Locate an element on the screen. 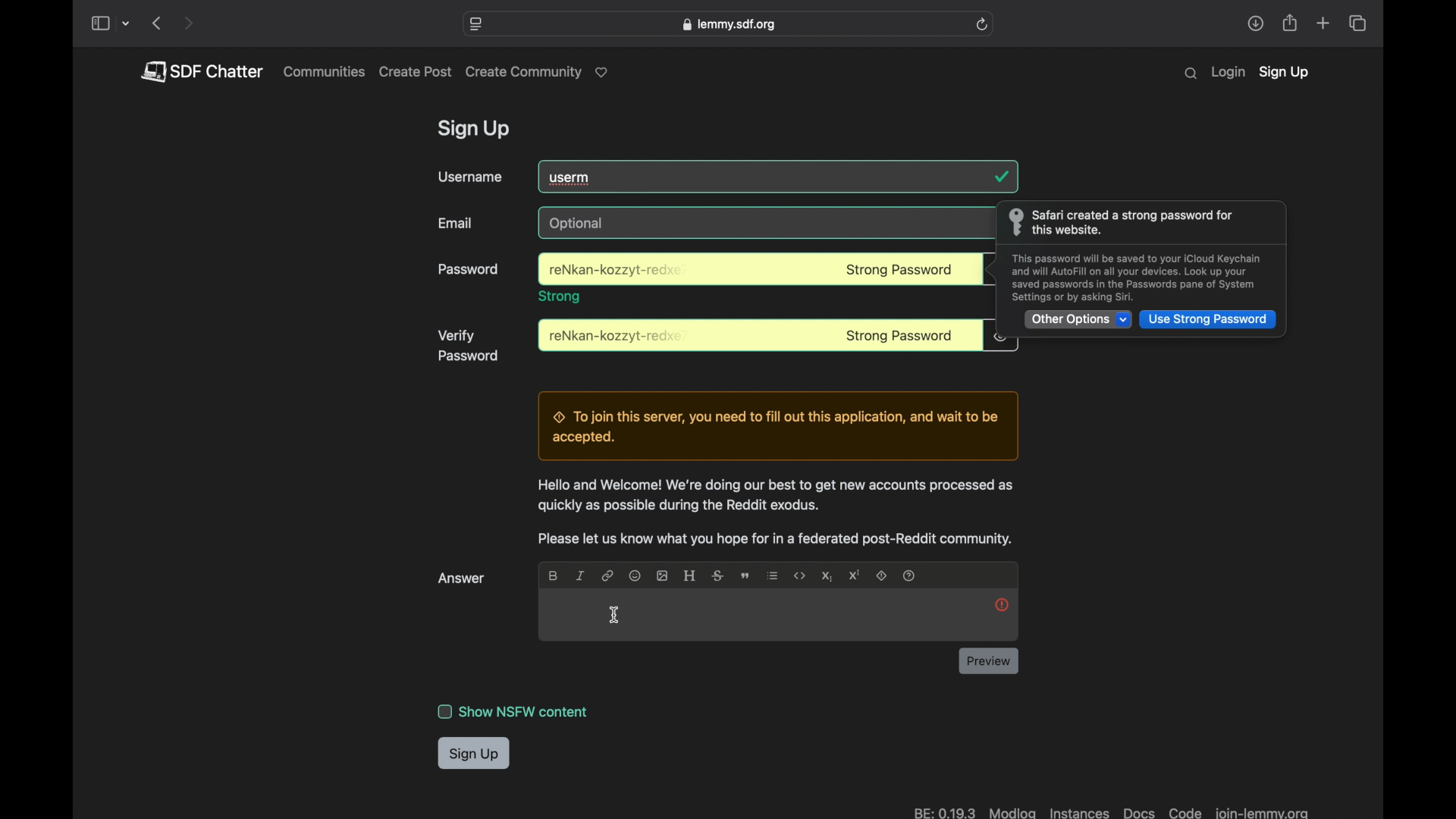 The image size is (1456, 819). login is located at coordinates (1228, 73).